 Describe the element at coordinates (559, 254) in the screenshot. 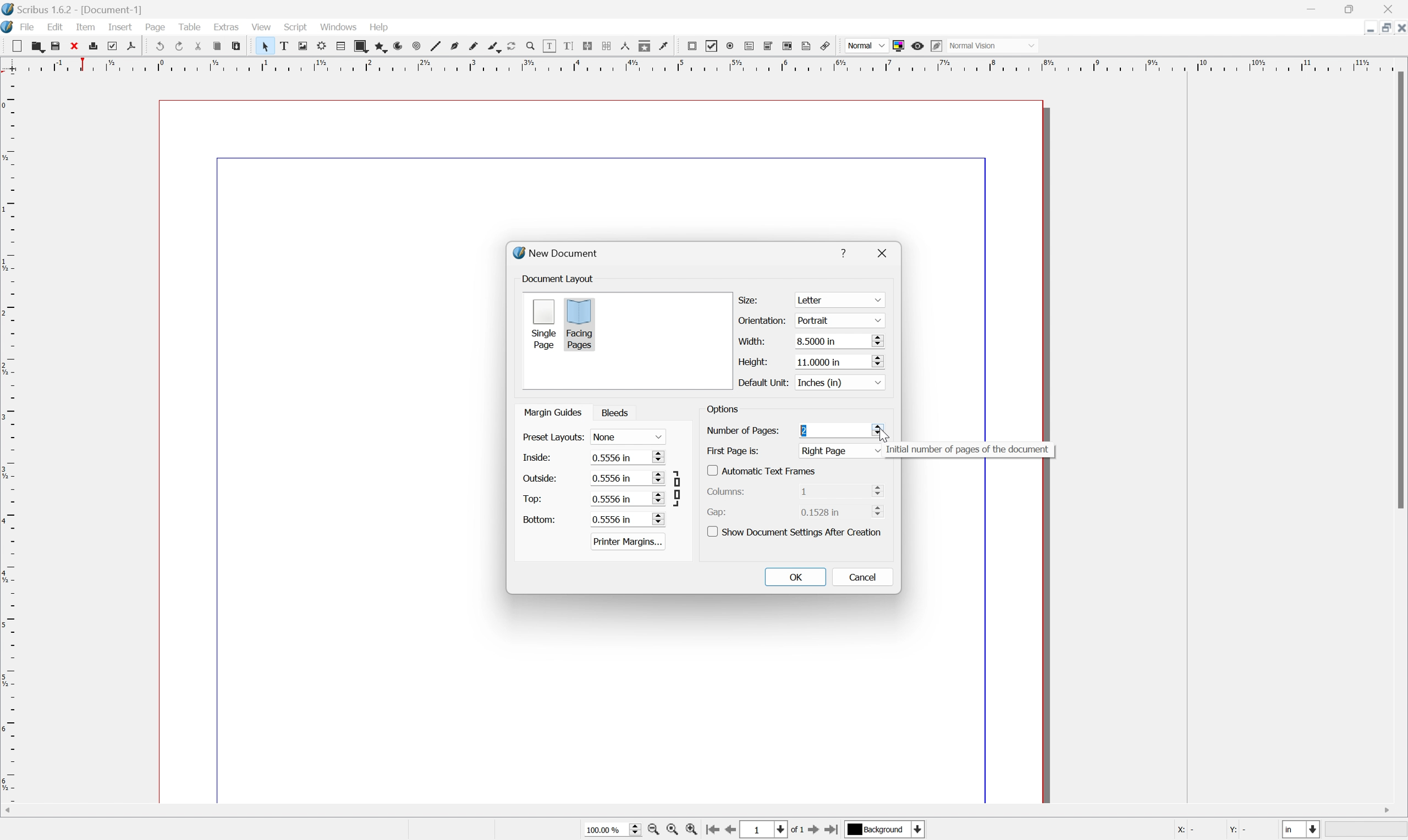

I see `new document` at that location.